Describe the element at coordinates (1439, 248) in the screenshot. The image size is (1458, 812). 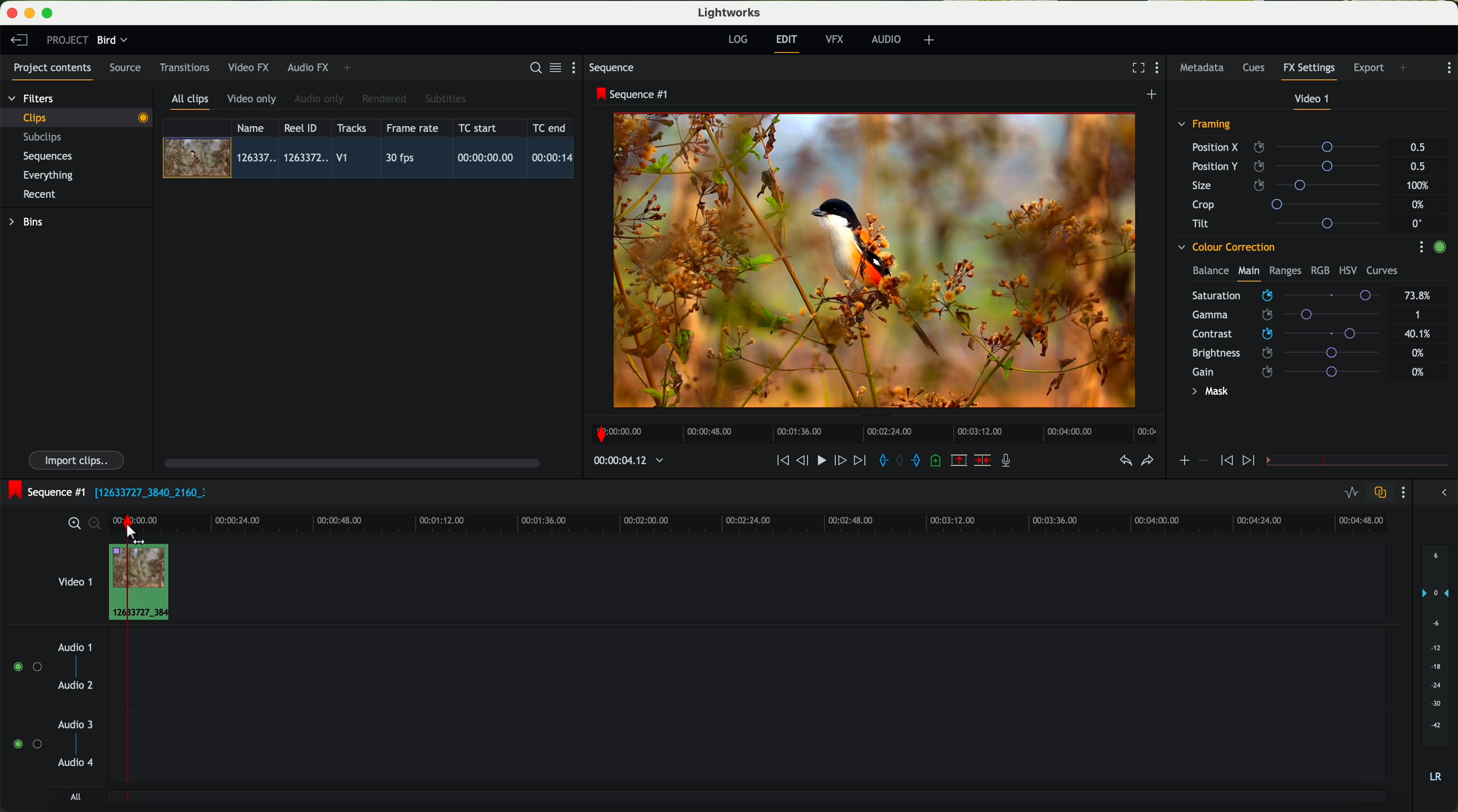
I see `enable` at that location.